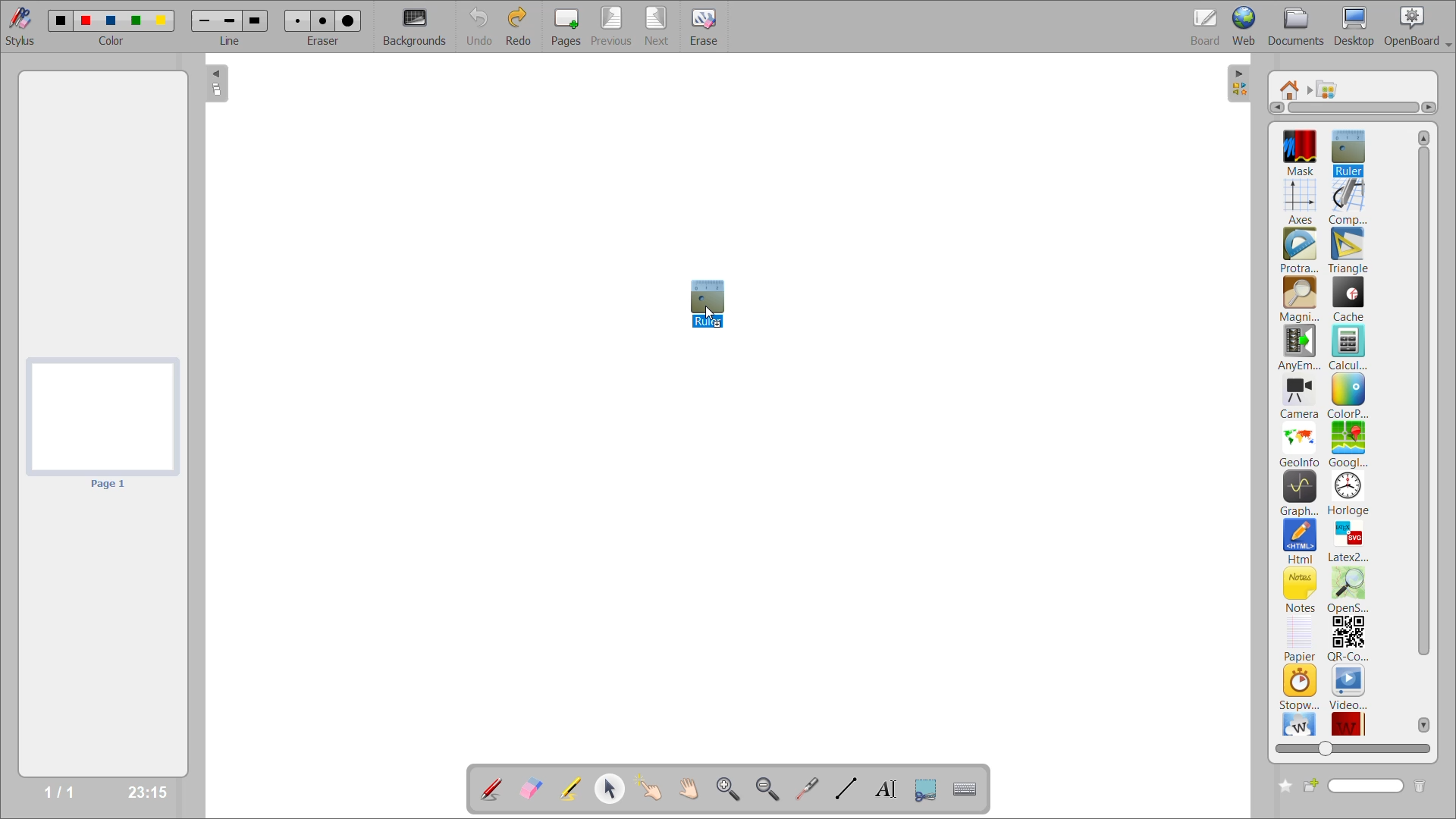 The height and width of the screenshot is (819, 1456). I want to click on annotate document, so click(489, 787).